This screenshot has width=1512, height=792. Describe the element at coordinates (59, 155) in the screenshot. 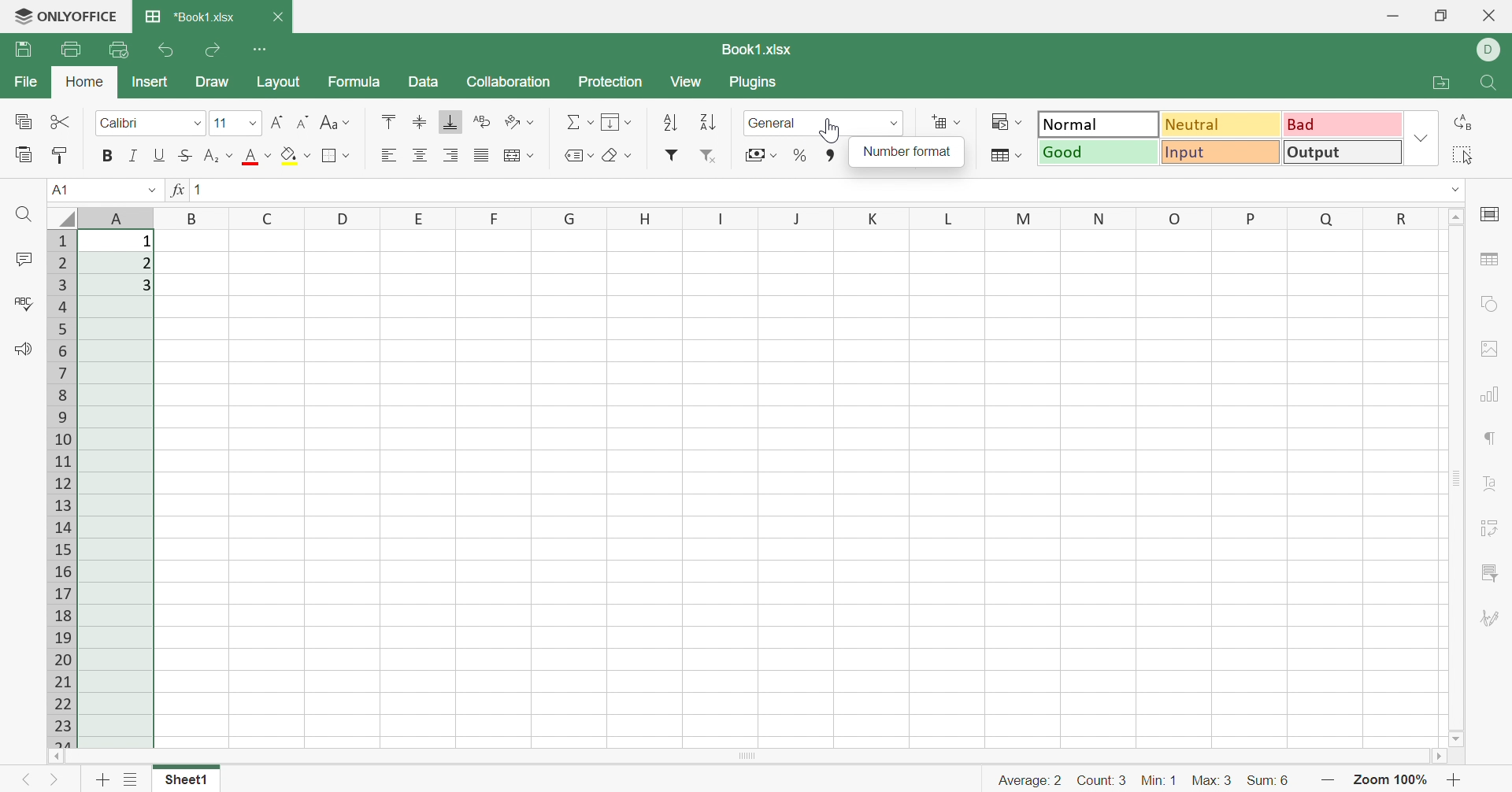

I see `Copy style` at that location.